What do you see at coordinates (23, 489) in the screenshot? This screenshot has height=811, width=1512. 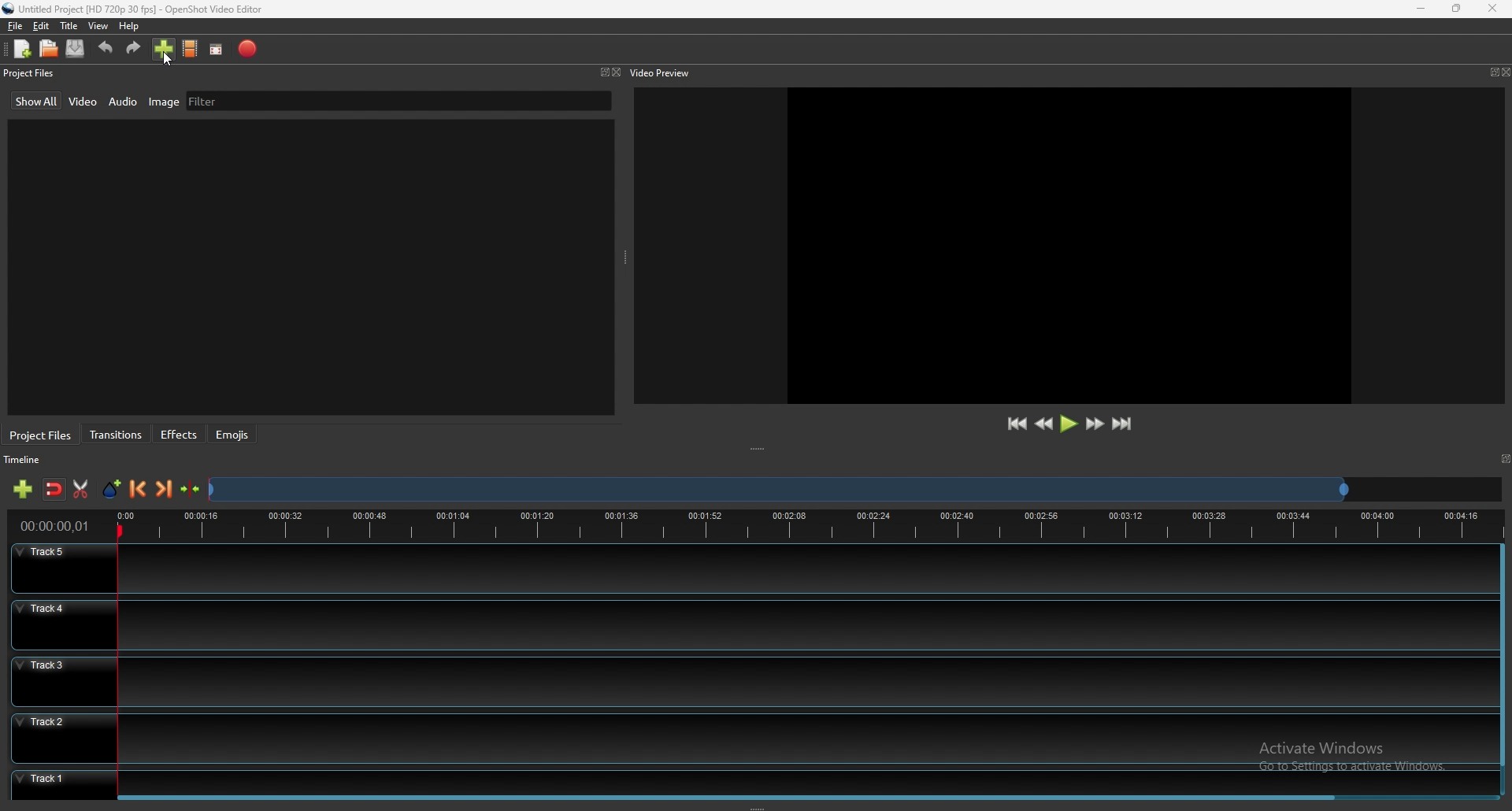 I see `add track` at bounding box center [23, 489].